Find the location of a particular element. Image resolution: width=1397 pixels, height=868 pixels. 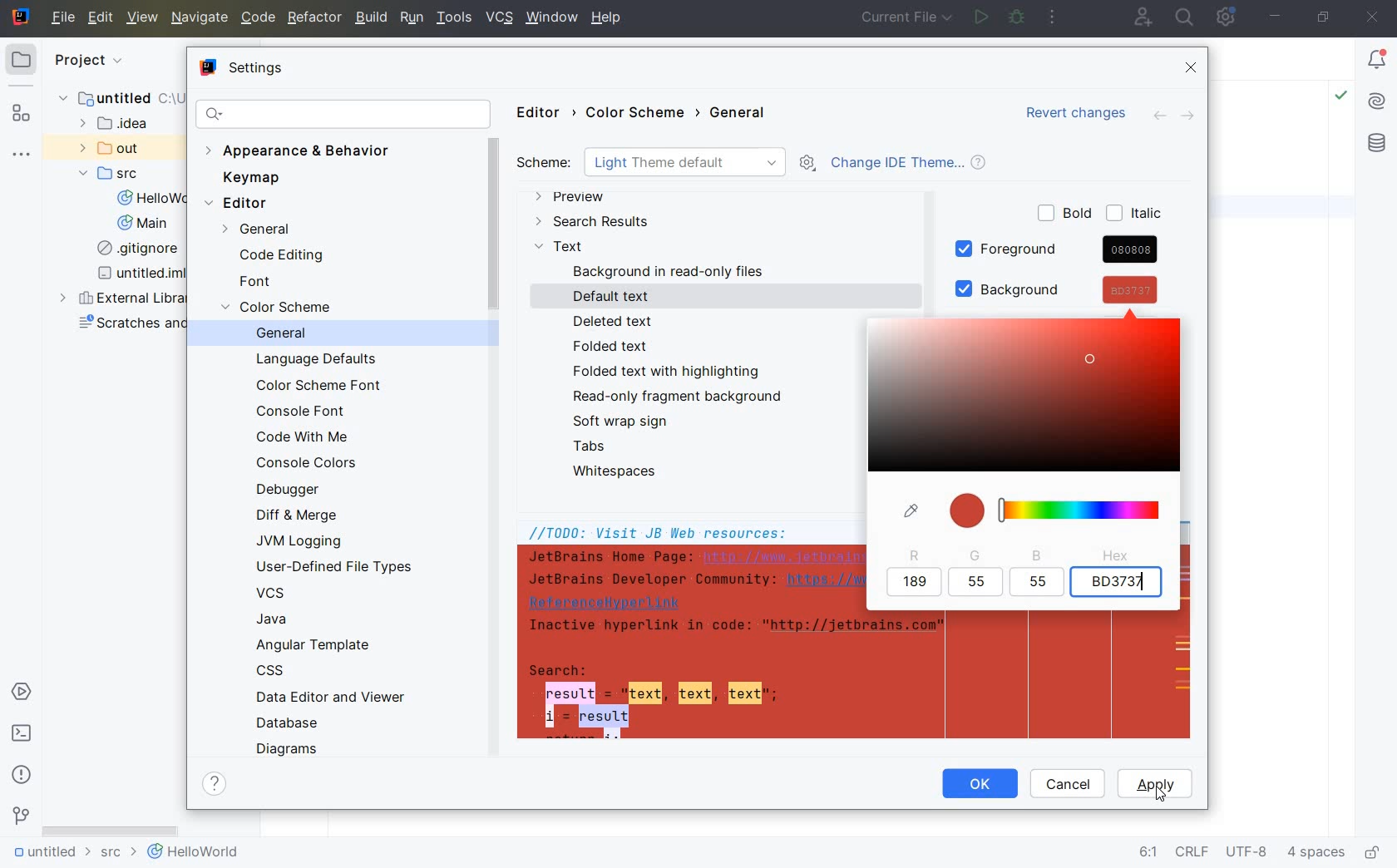

EDITOR is located at coordinates (240, 204).